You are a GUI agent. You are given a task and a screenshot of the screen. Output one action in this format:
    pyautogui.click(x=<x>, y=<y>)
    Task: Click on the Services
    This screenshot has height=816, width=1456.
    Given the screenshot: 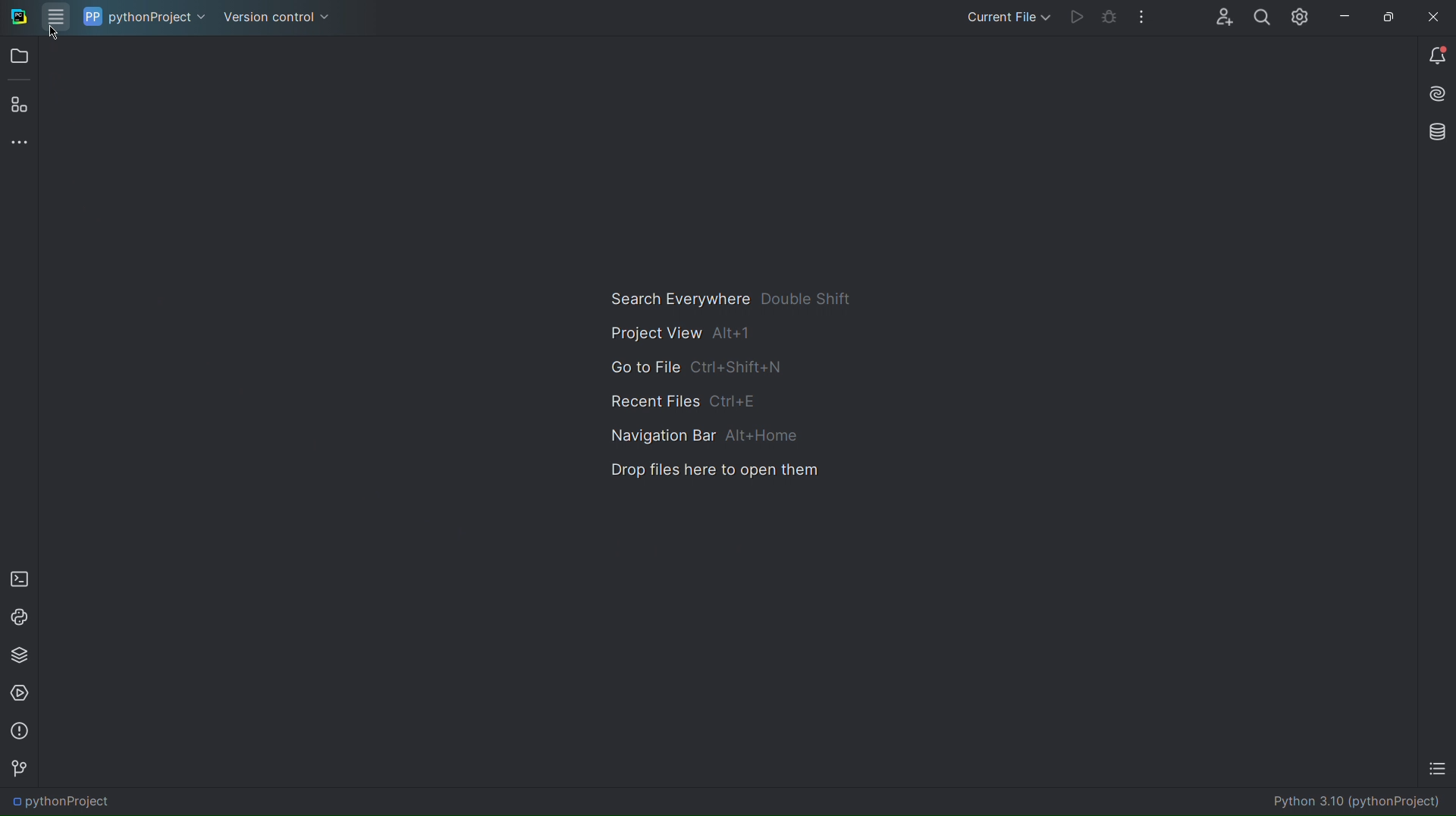 What is the action you would take?
    pyautogui.click(x=21, y=693)
    